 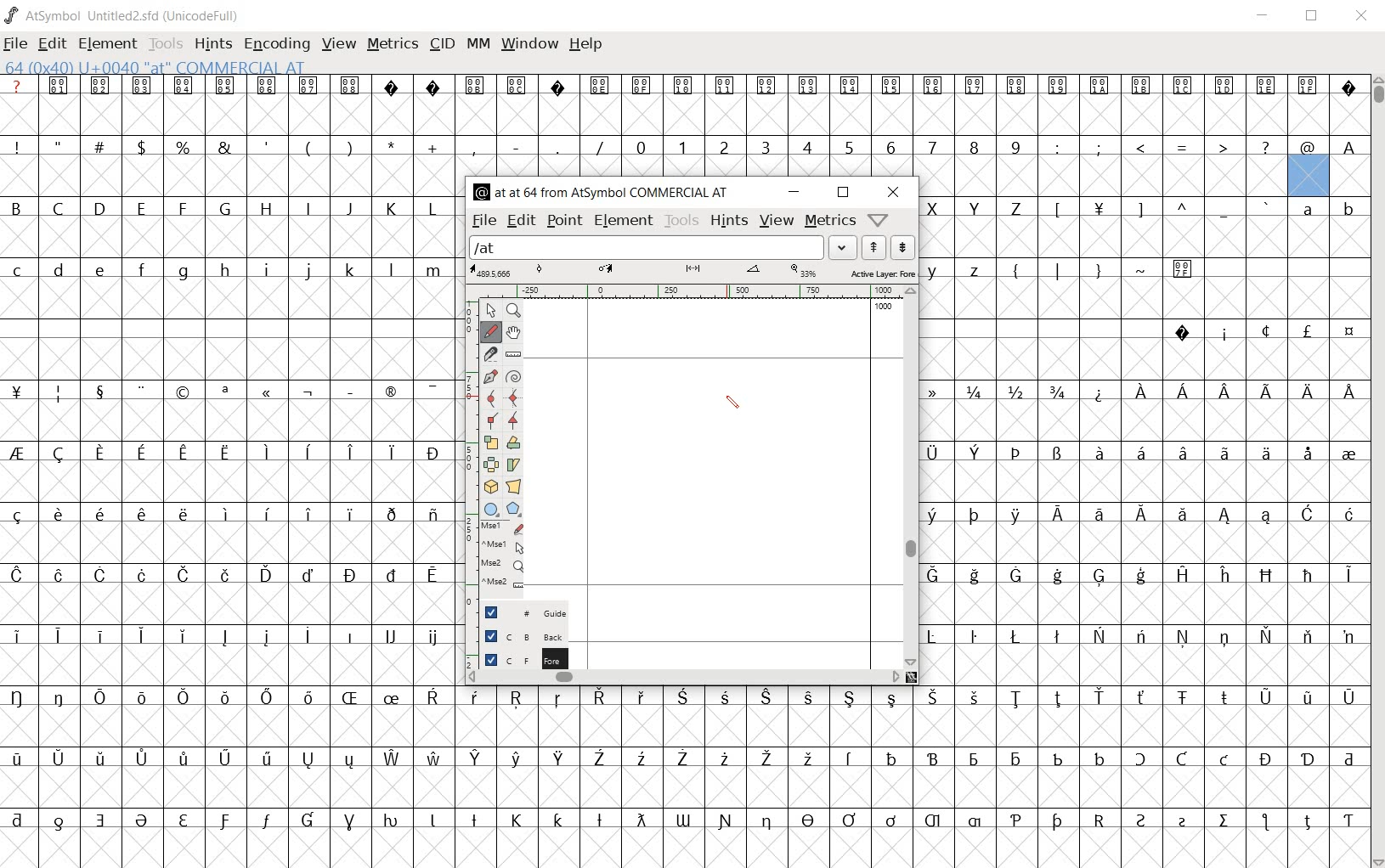 I want to click on foreground, so click(x=540, y=656).